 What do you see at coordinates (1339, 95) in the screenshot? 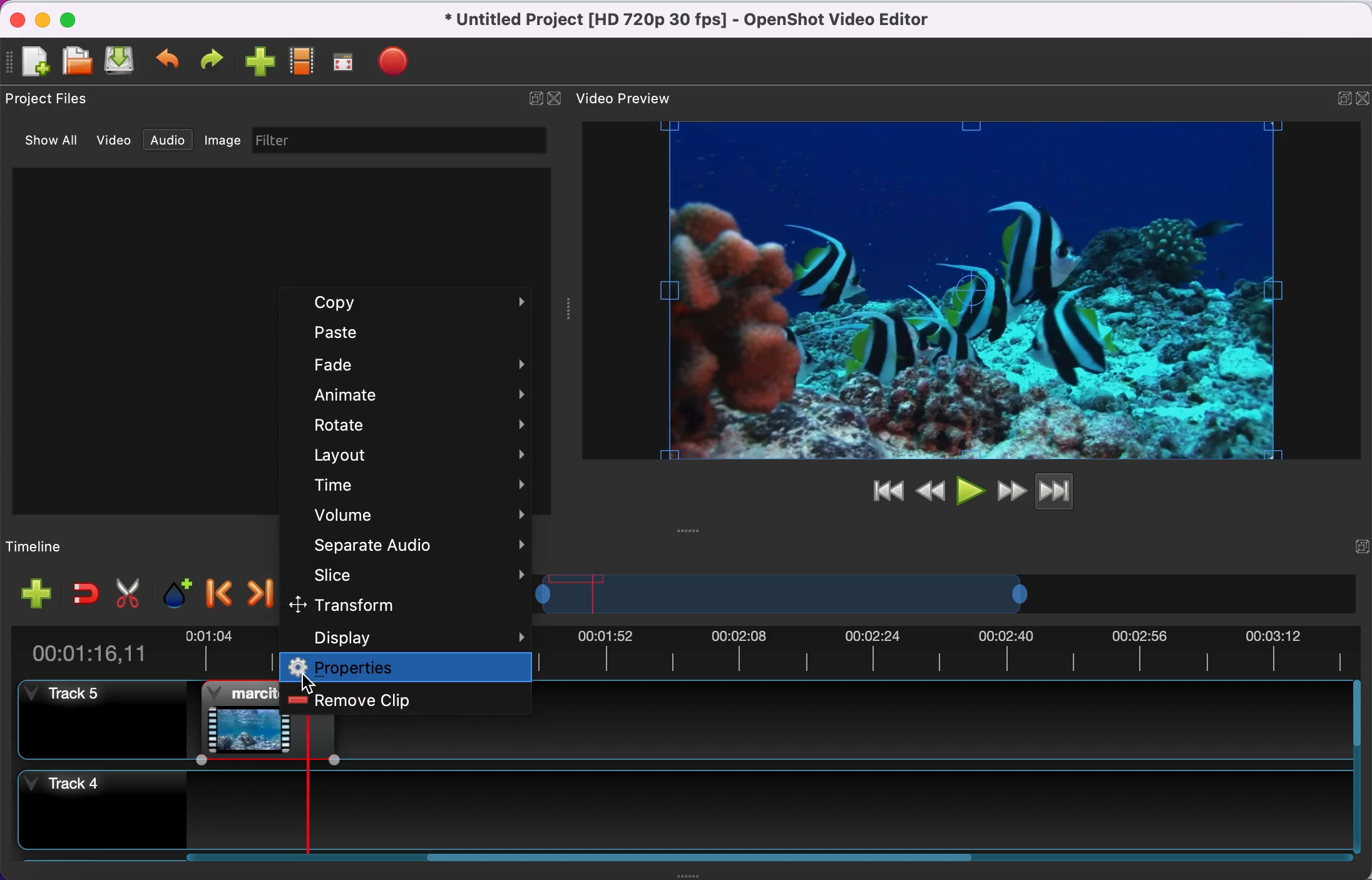
I see `maximize` at bounding box center [1339, 95].